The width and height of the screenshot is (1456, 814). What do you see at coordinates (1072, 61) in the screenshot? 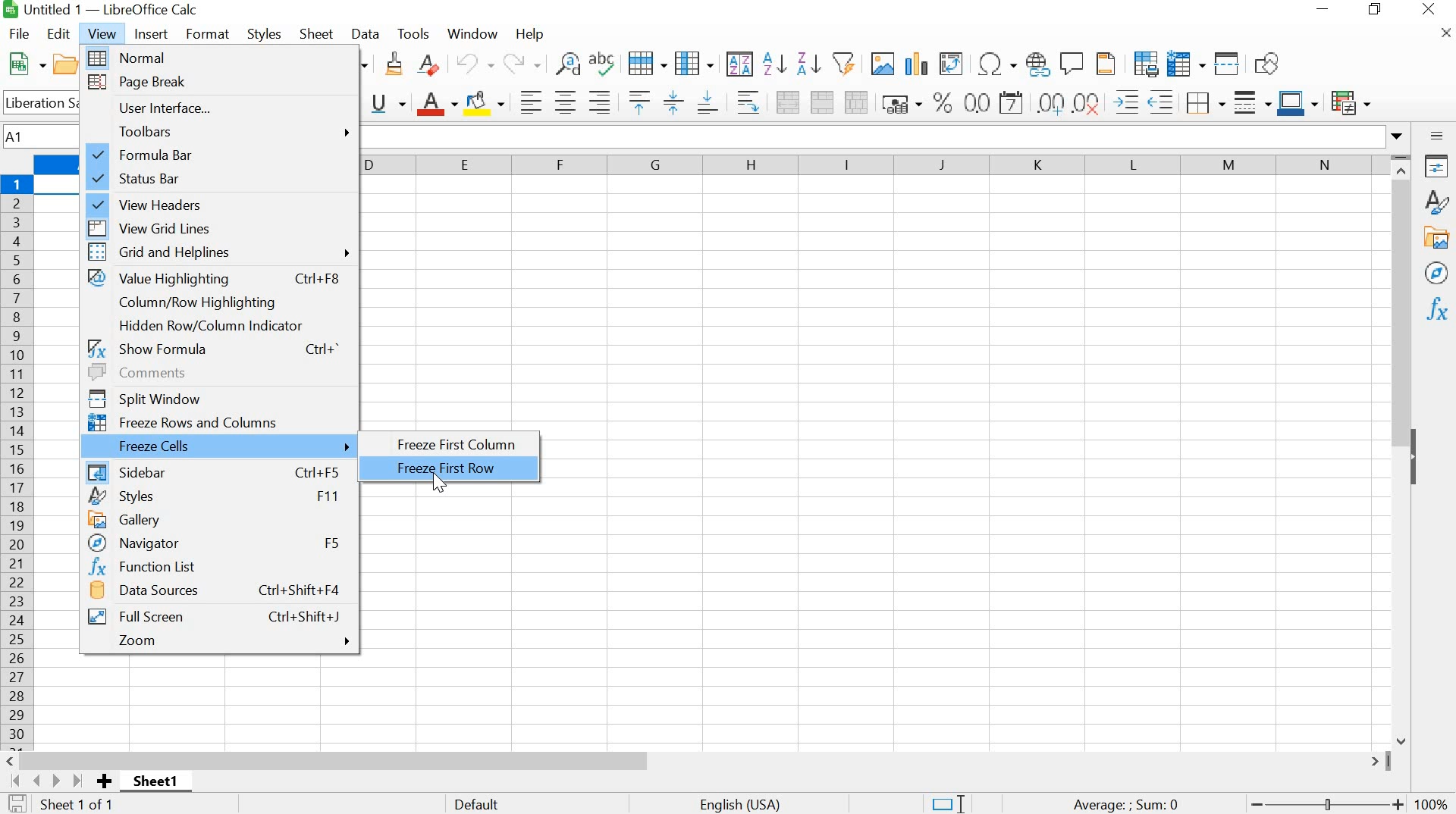
I see `INSERT COMMENT` at bounding box center [1072, 61].